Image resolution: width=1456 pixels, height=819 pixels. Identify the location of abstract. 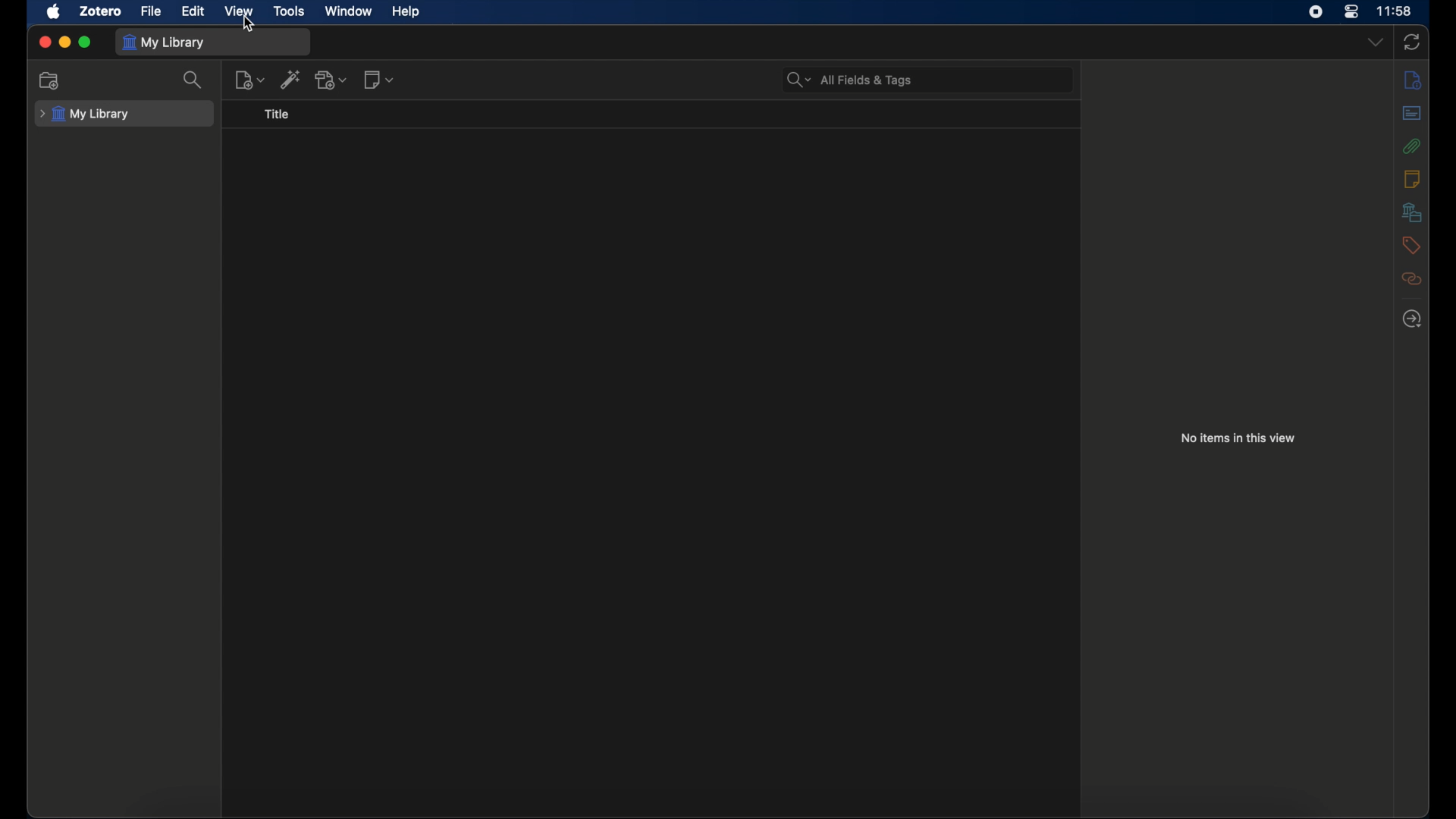
(1411, 114).